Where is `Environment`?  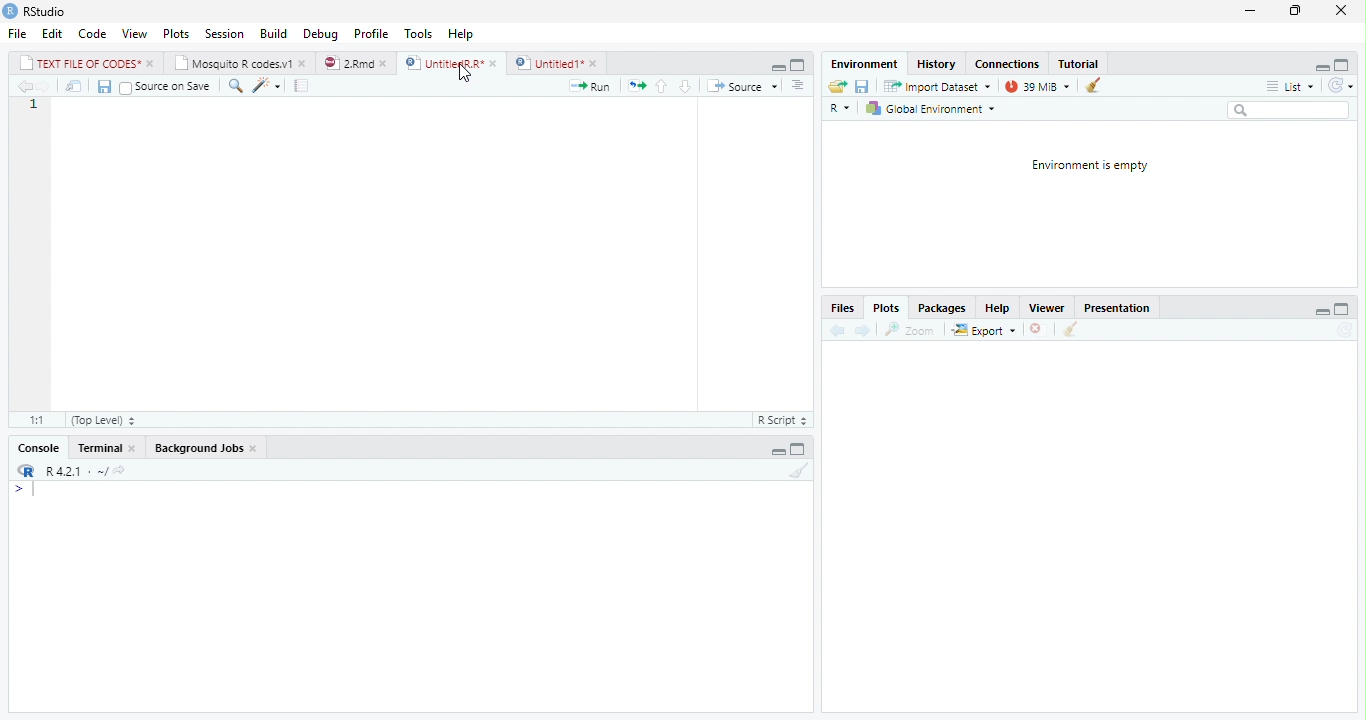
Environment is located at coordinates (859, 63).